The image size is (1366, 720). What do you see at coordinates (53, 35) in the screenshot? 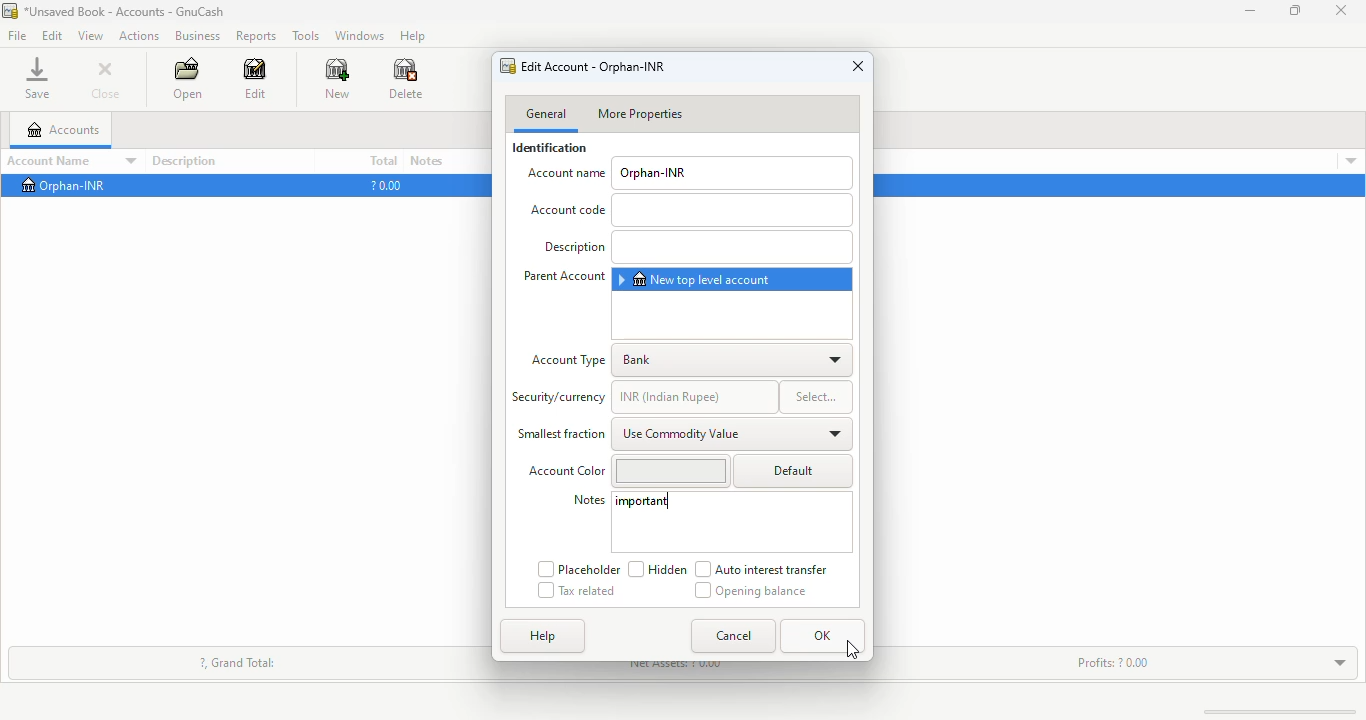
I see `edit` at bounding box center [53, 35].